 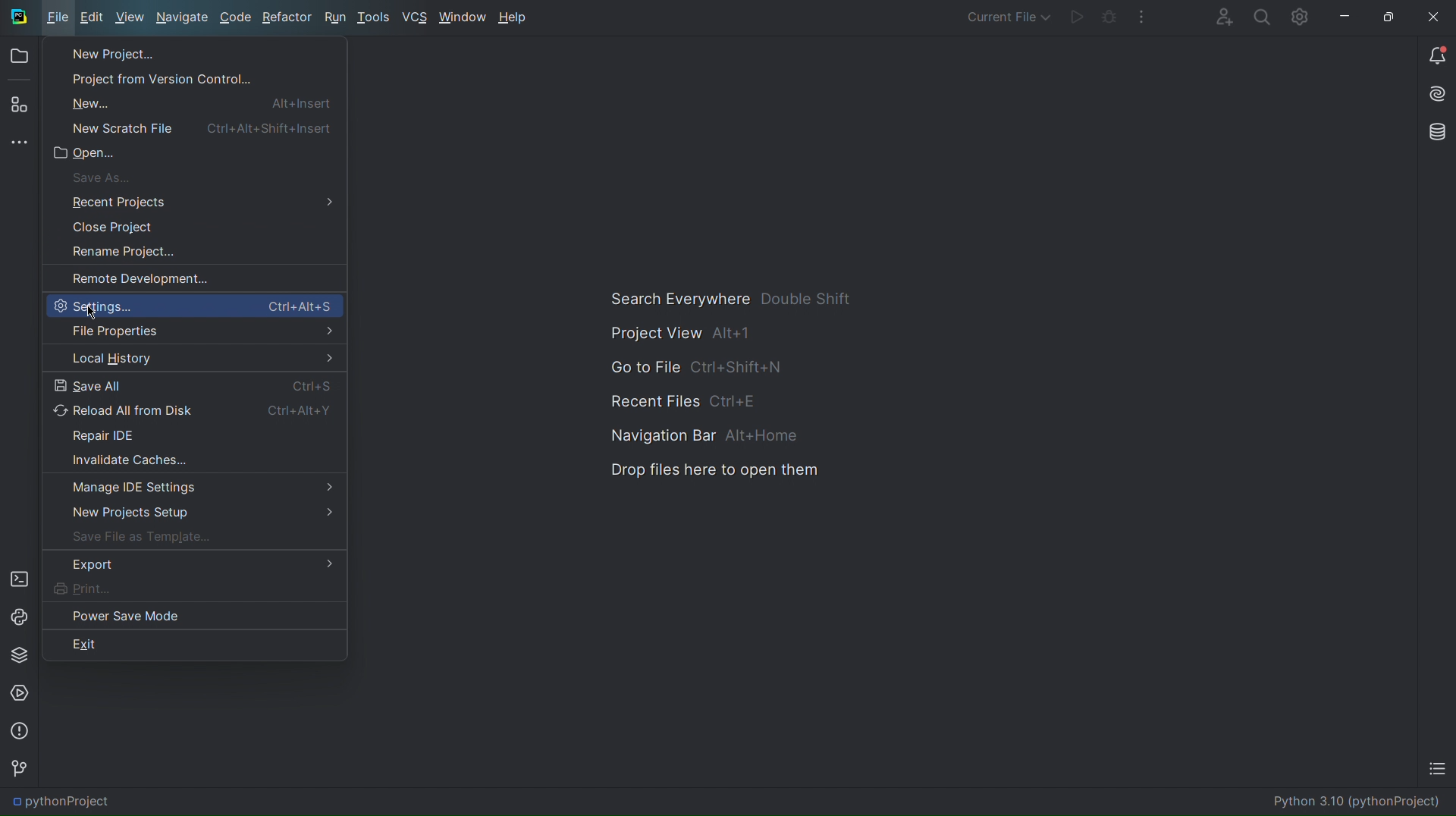 What do you see at coordinates (708, 472) in the screenshot?
I see `Drop files here to open them` at bounding box center [708, 472].